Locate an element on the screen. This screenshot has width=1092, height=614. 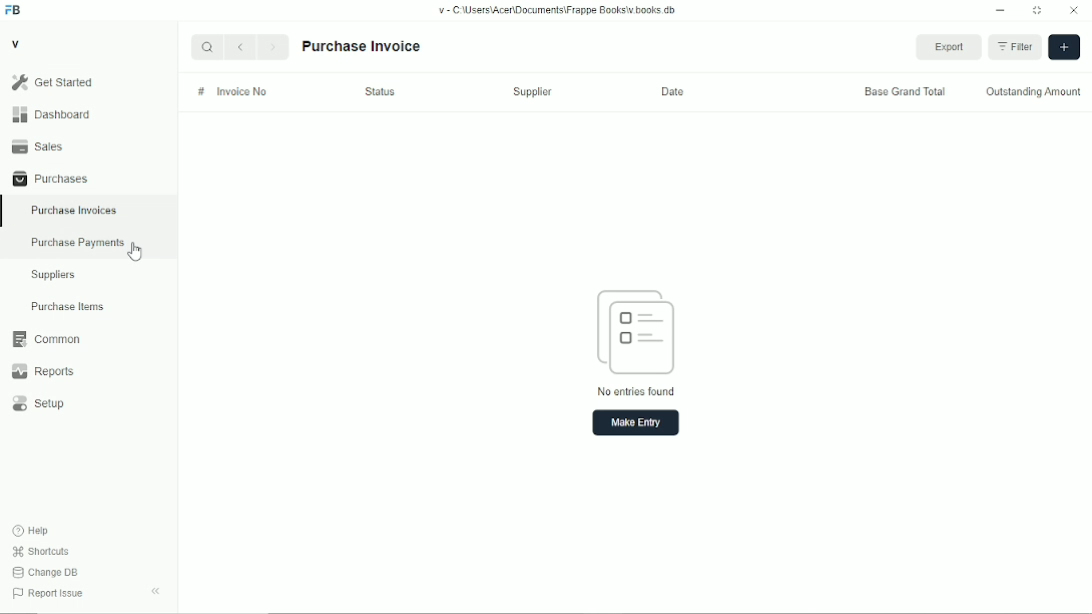
Cursor is located at coordinates (134, 251).